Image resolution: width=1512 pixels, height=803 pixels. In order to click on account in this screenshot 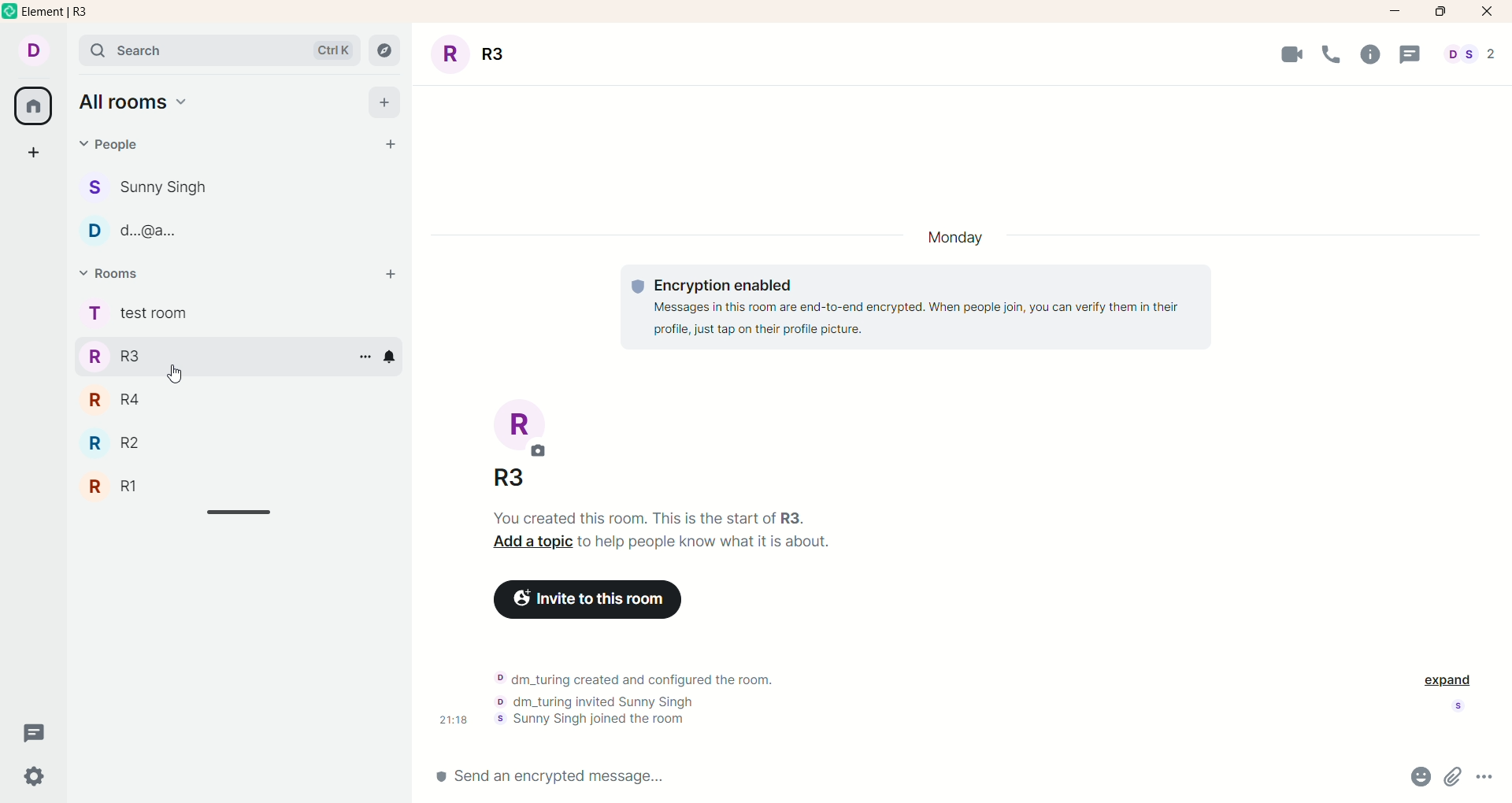, I will do `click(35, 52)`.